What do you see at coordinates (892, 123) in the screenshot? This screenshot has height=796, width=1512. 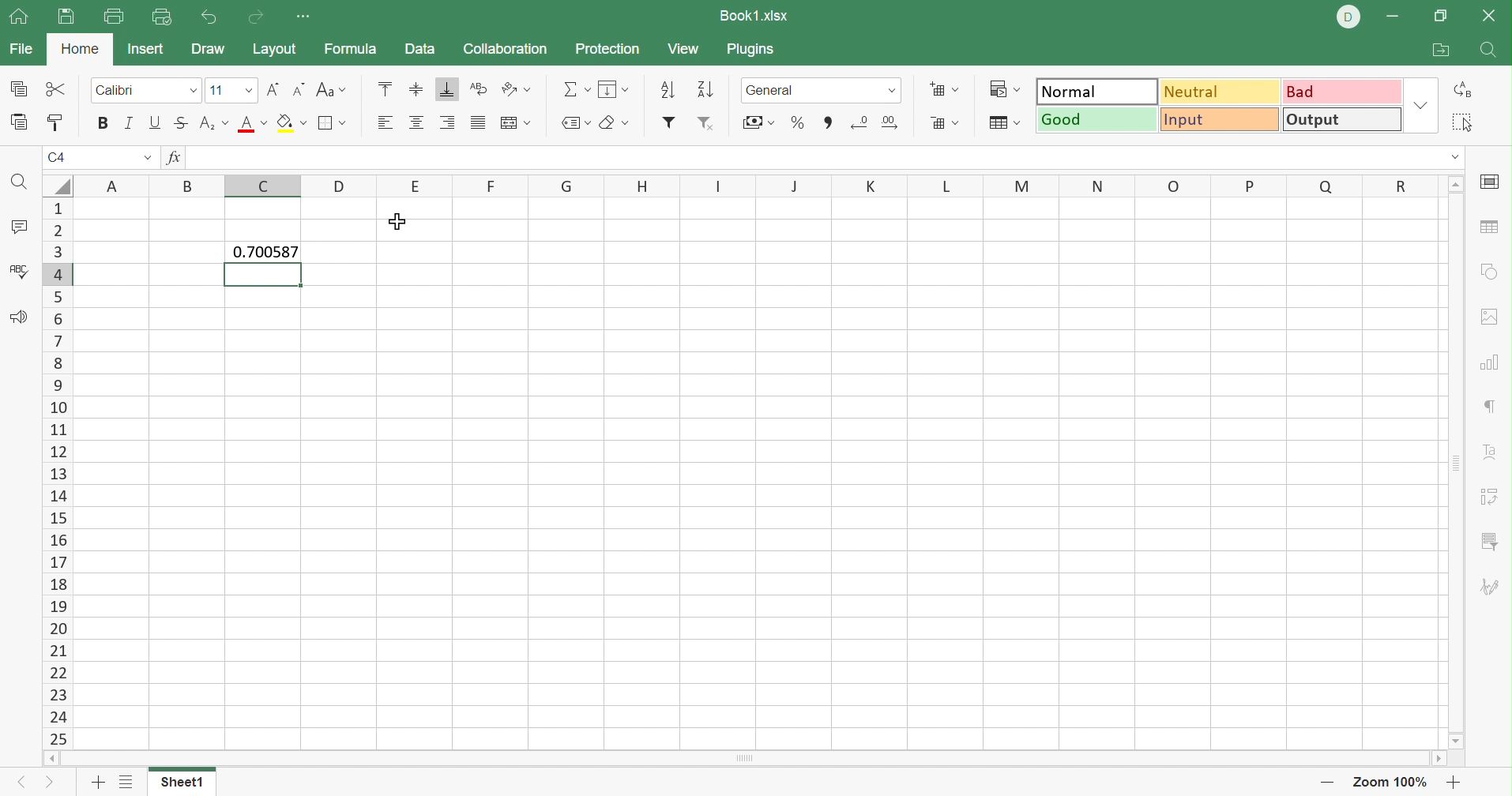 I see `Increase decimal` at bounding box center [892, 123].